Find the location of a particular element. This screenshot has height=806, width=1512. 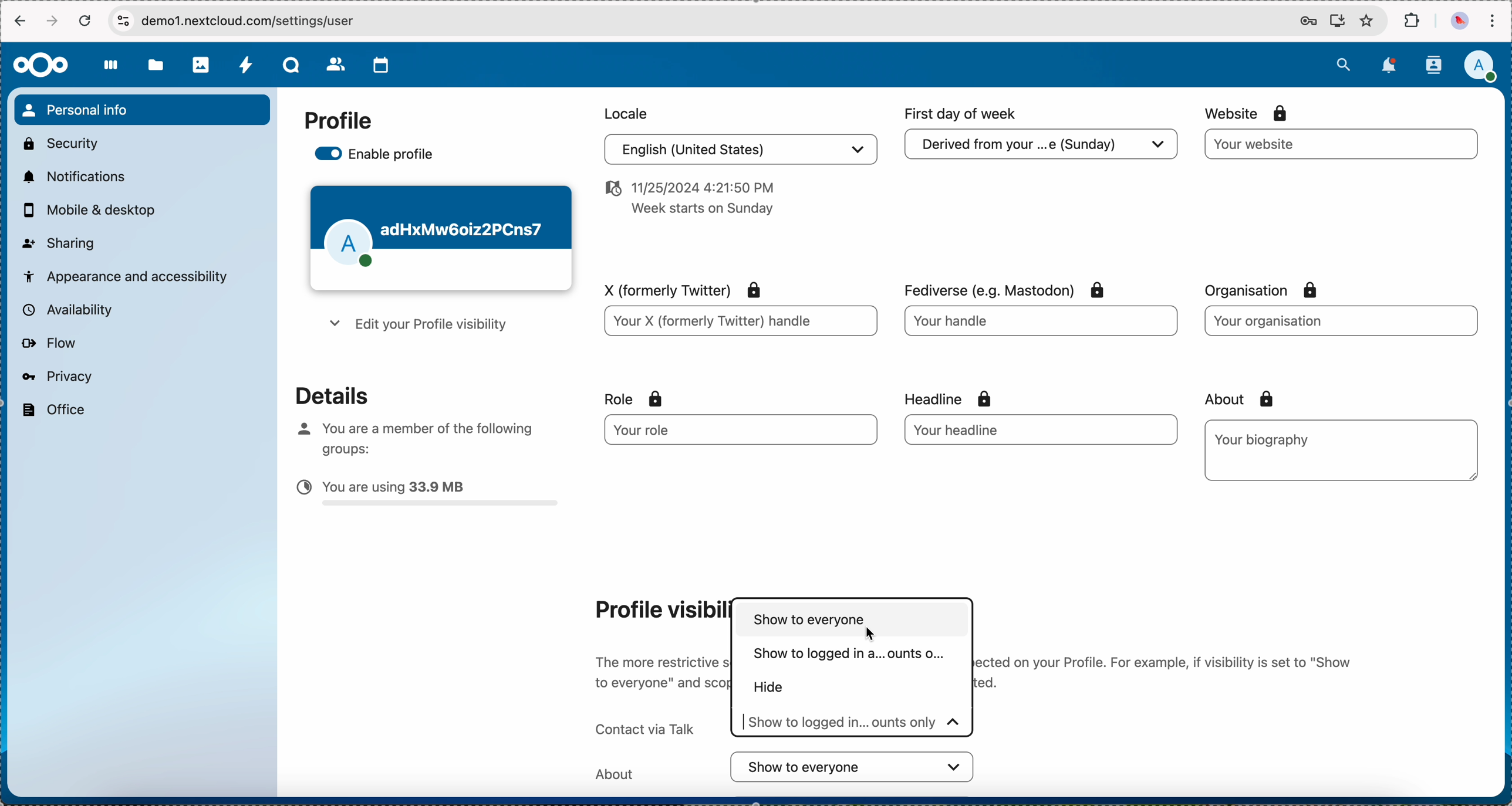

favorites is located at coordinates (1366, 22).